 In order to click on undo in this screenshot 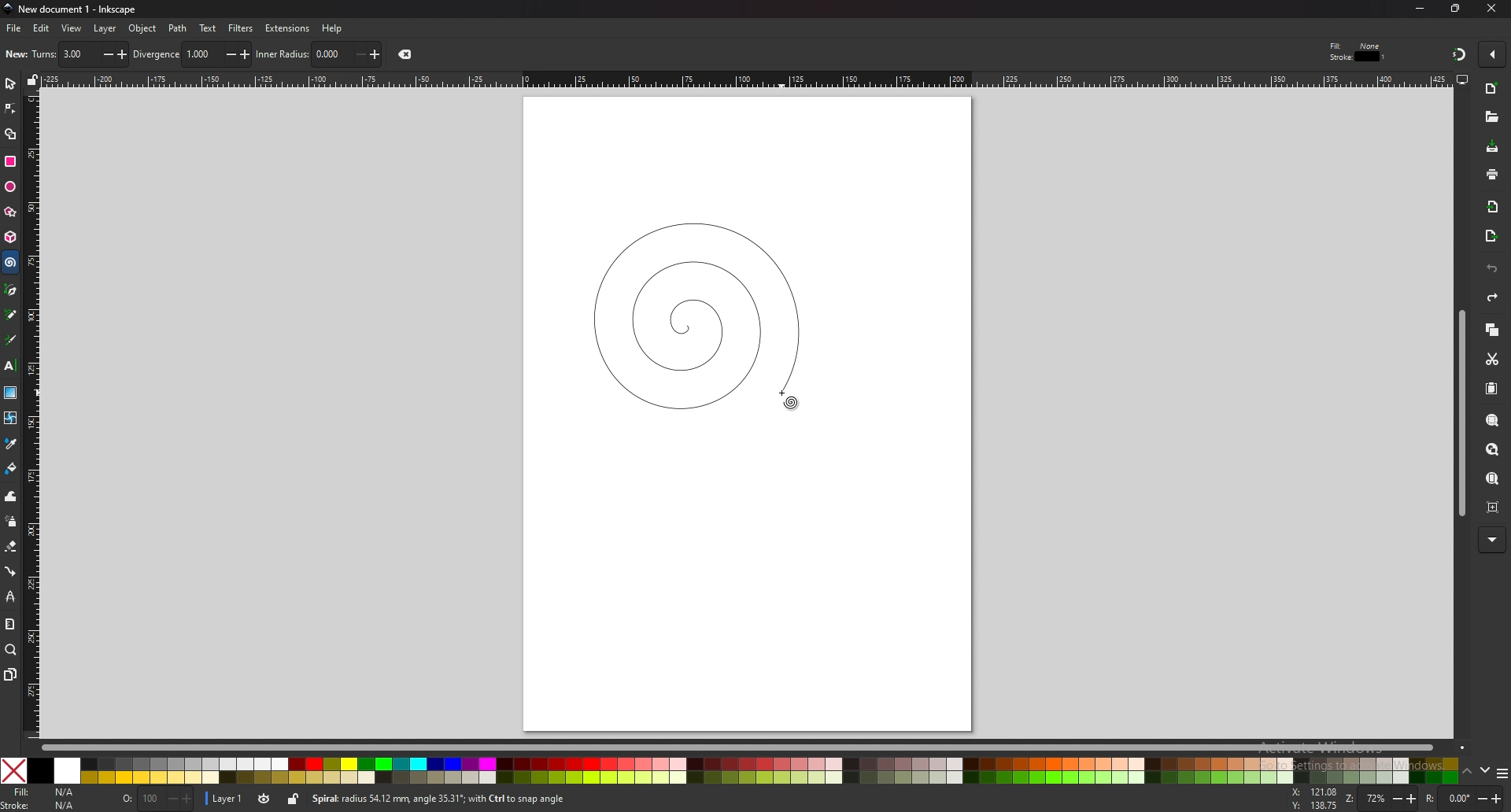, I will do `click(1492, 268)`.